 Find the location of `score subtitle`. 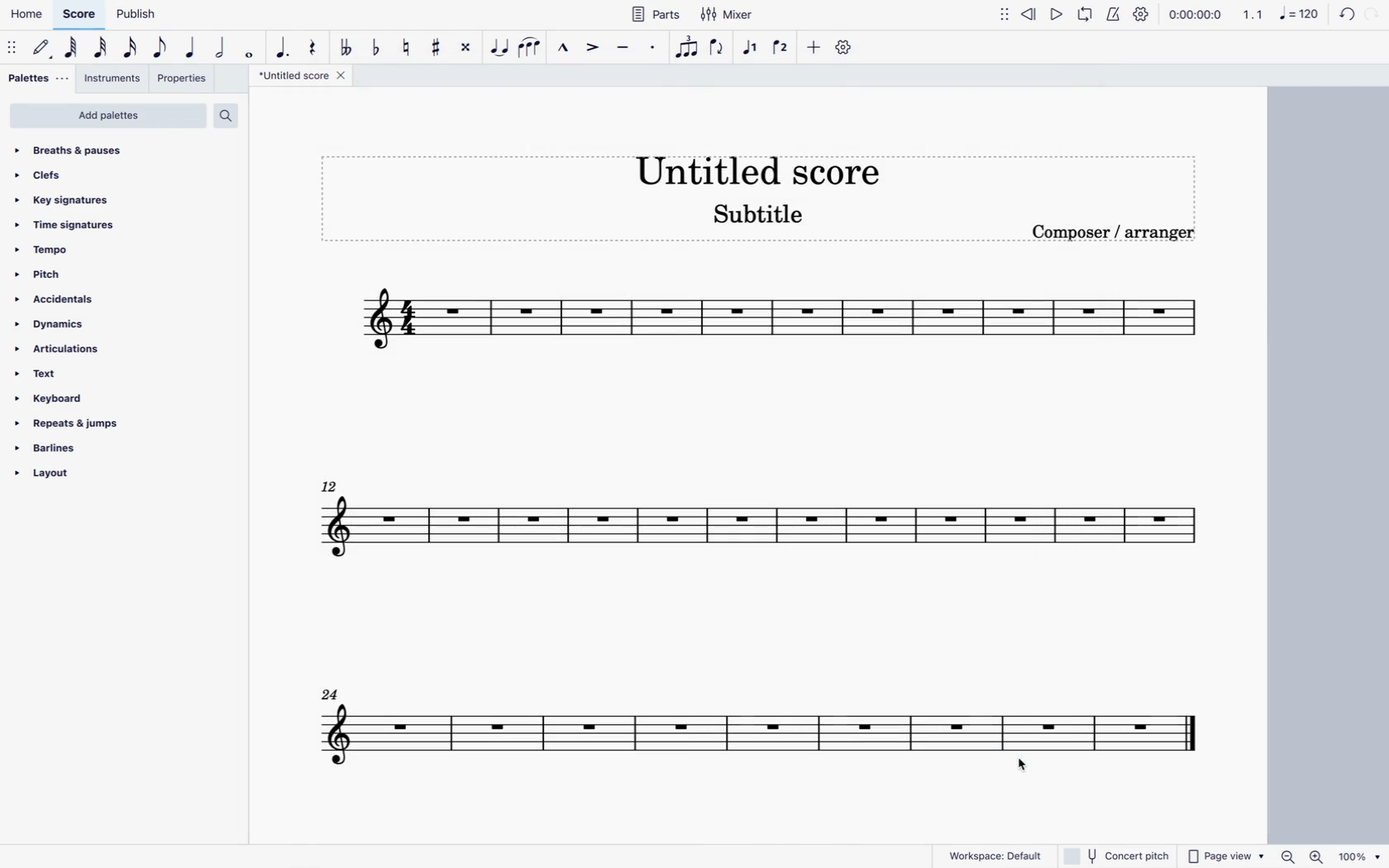

score subtitle is located at coordinates (765, 219).